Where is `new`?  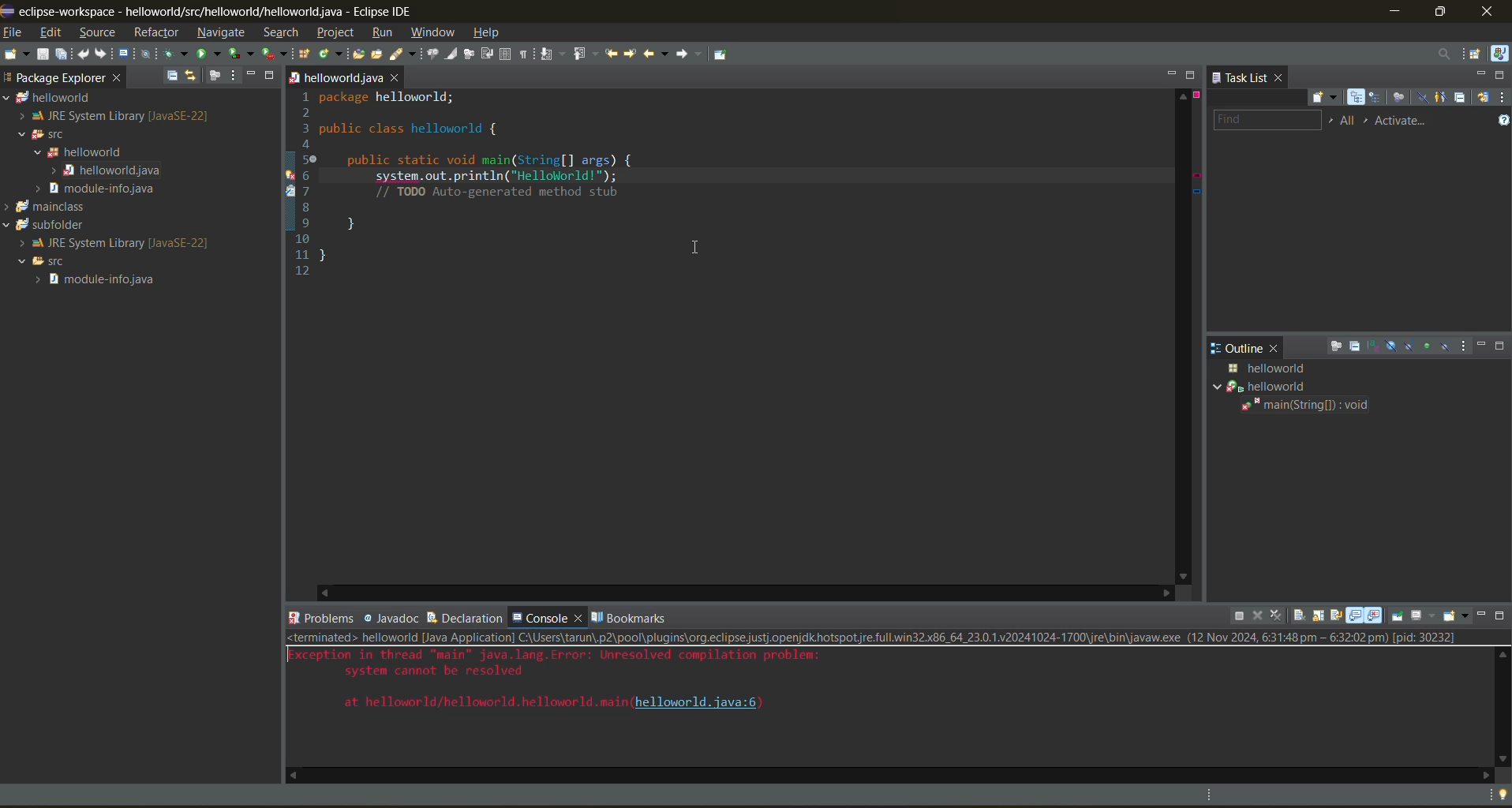
new is located at coordinates (21, 55).